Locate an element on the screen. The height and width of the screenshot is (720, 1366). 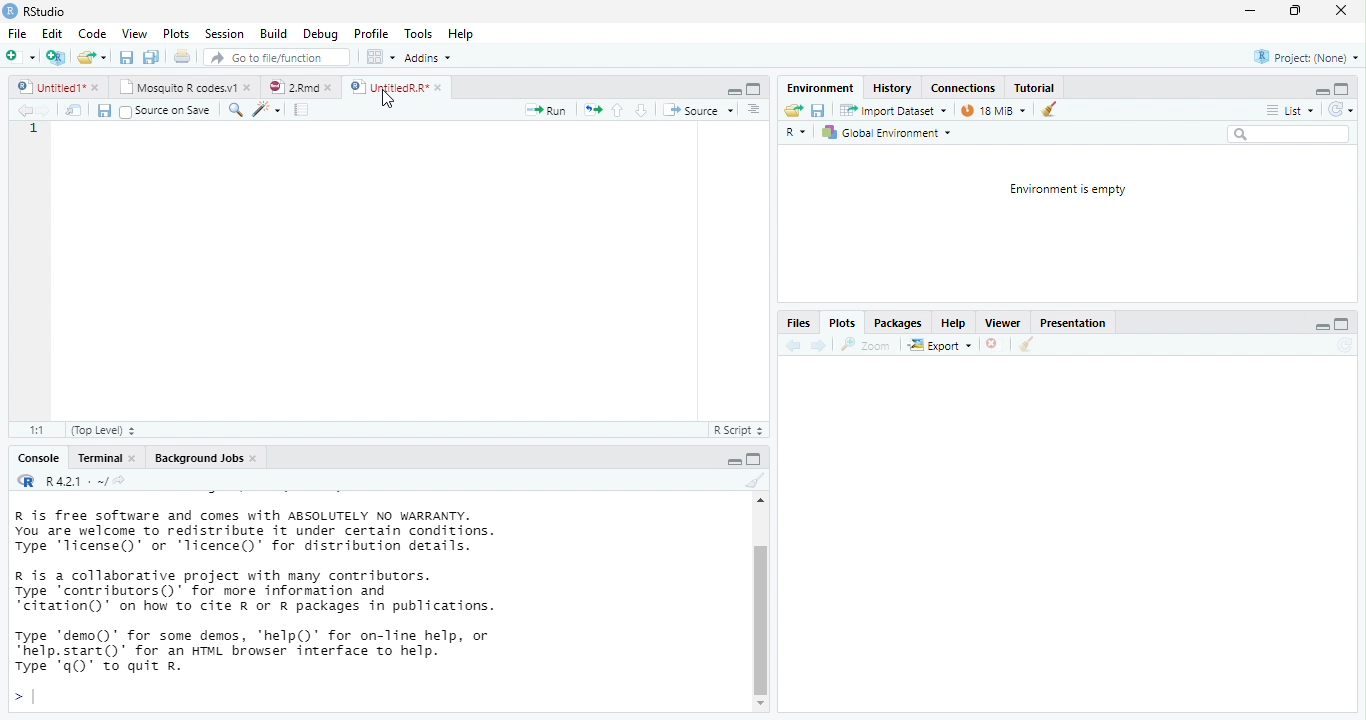
maximize is located at coordinates (1295, 11).